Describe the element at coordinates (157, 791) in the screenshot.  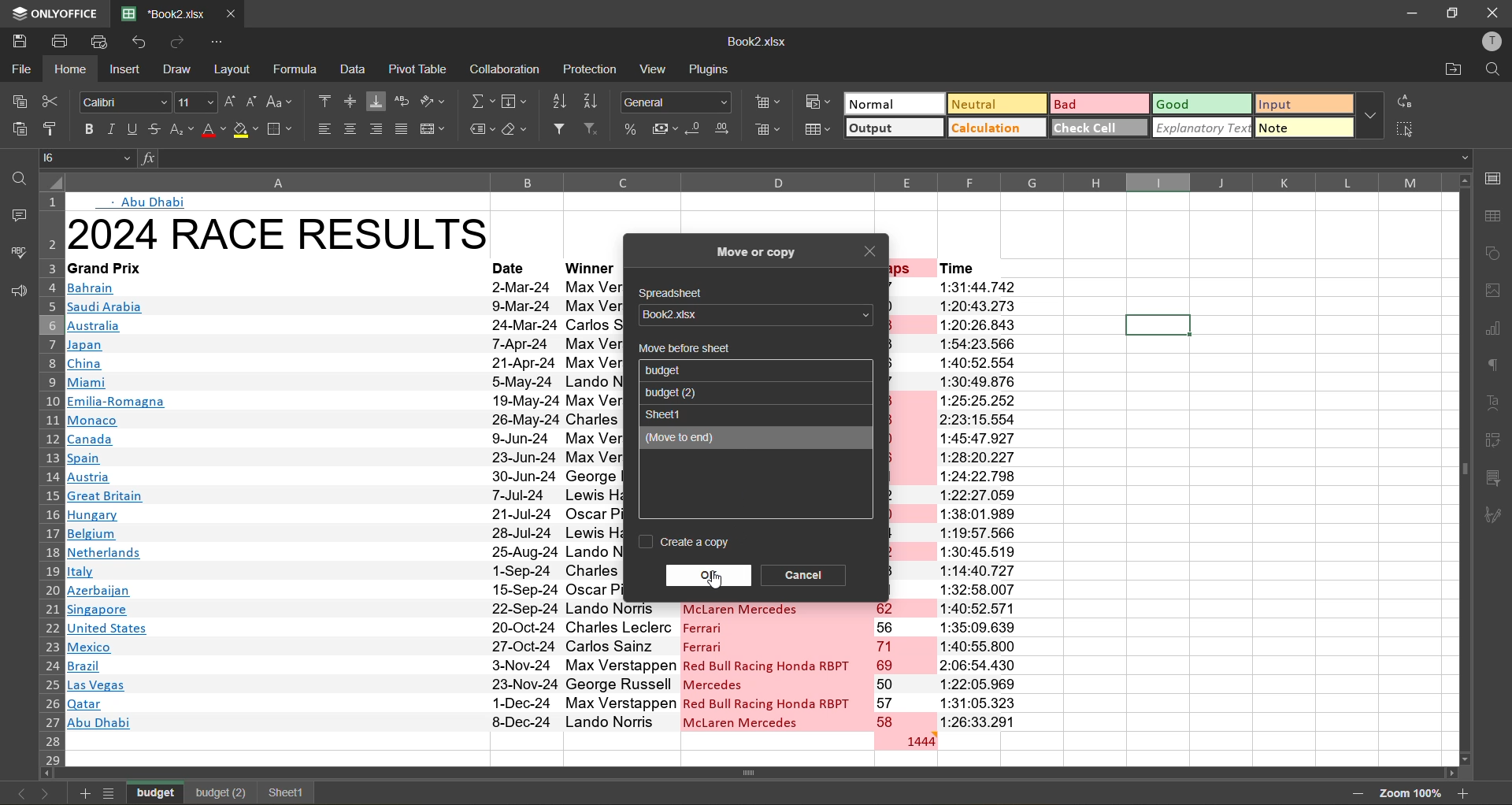
I see `sheet names` at that location.